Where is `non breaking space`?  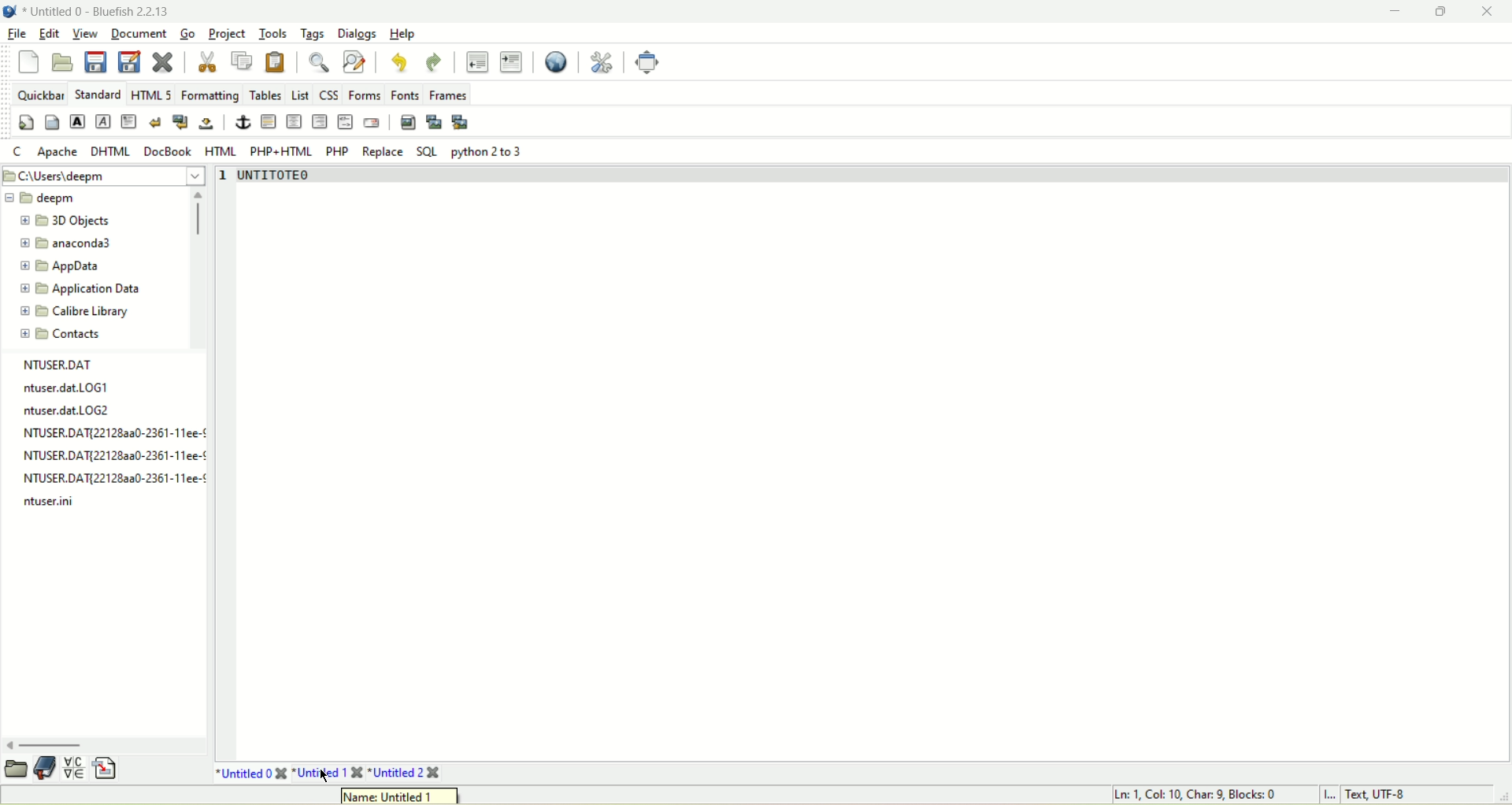
non breaking space is located at coordinates (212, 122).